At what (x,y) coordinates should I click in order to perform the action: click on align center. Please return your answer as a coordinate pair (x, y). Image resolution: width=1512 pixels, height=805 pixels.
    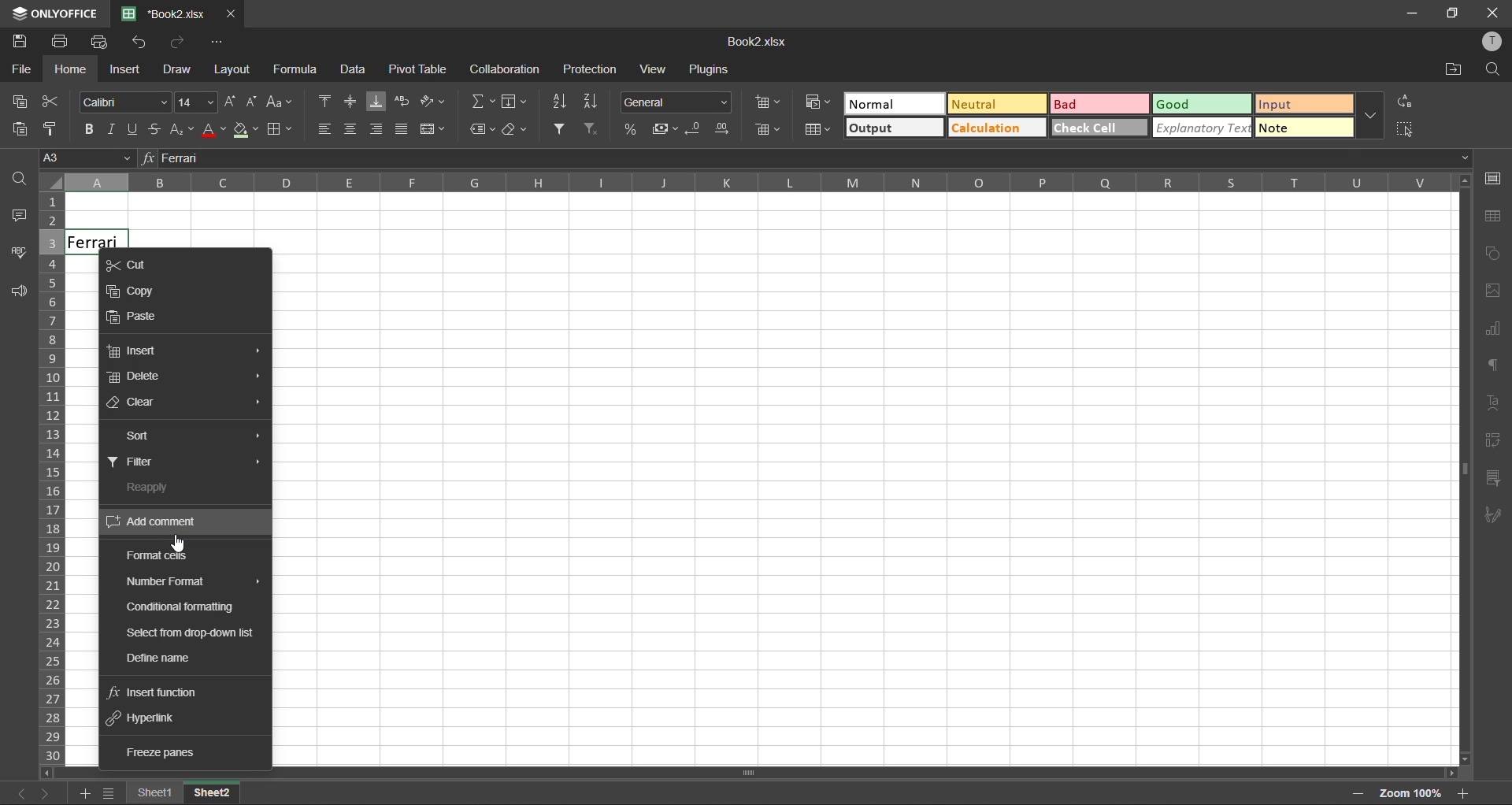
    Looking at the image, I should click on (352, 129).